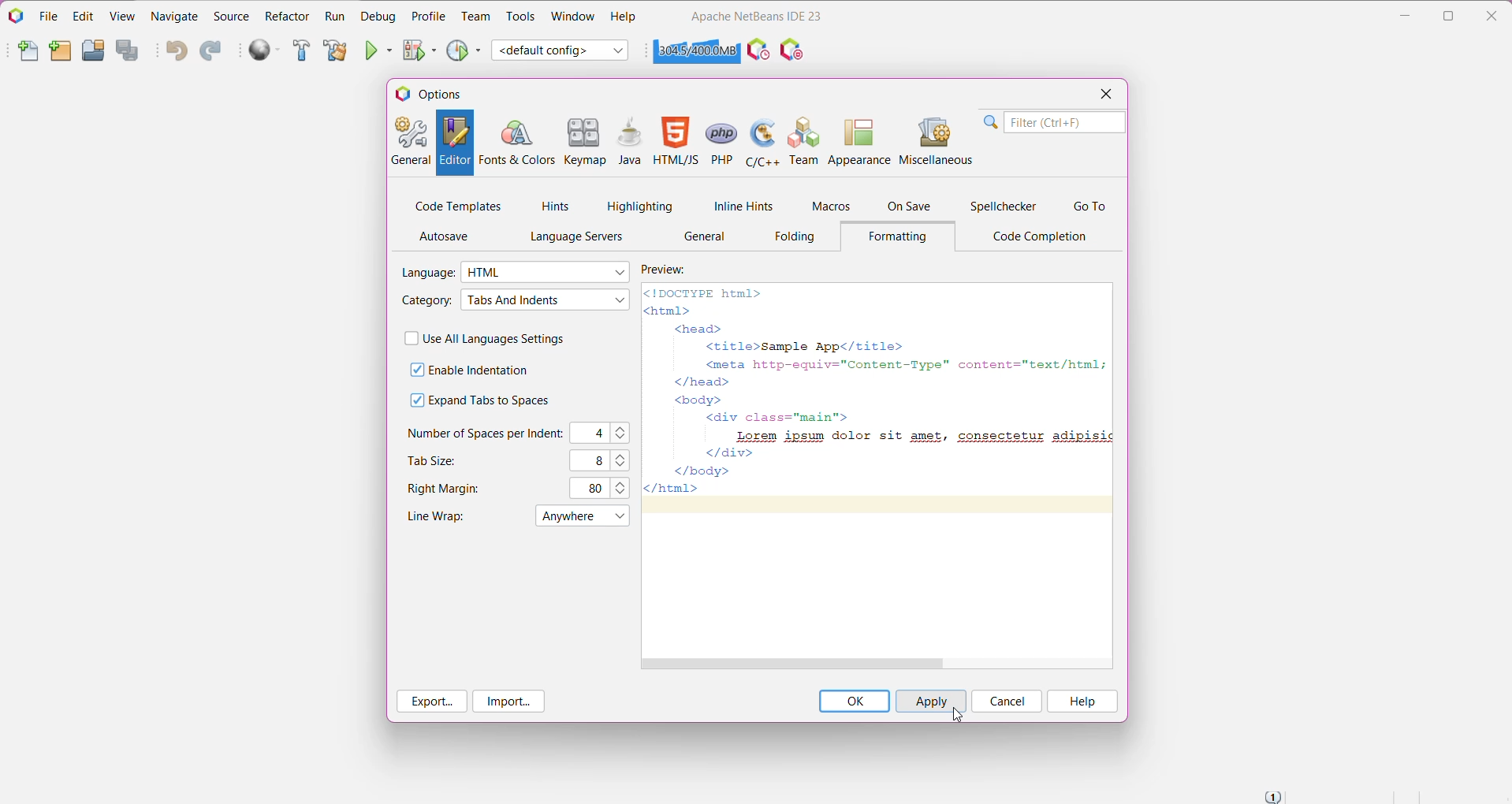 The width and height of the screenshot is (1512, 804). What do you see at coordinates (756, 16) in the screenshot?
I see `Application Name` at bounding box center [756, 16].